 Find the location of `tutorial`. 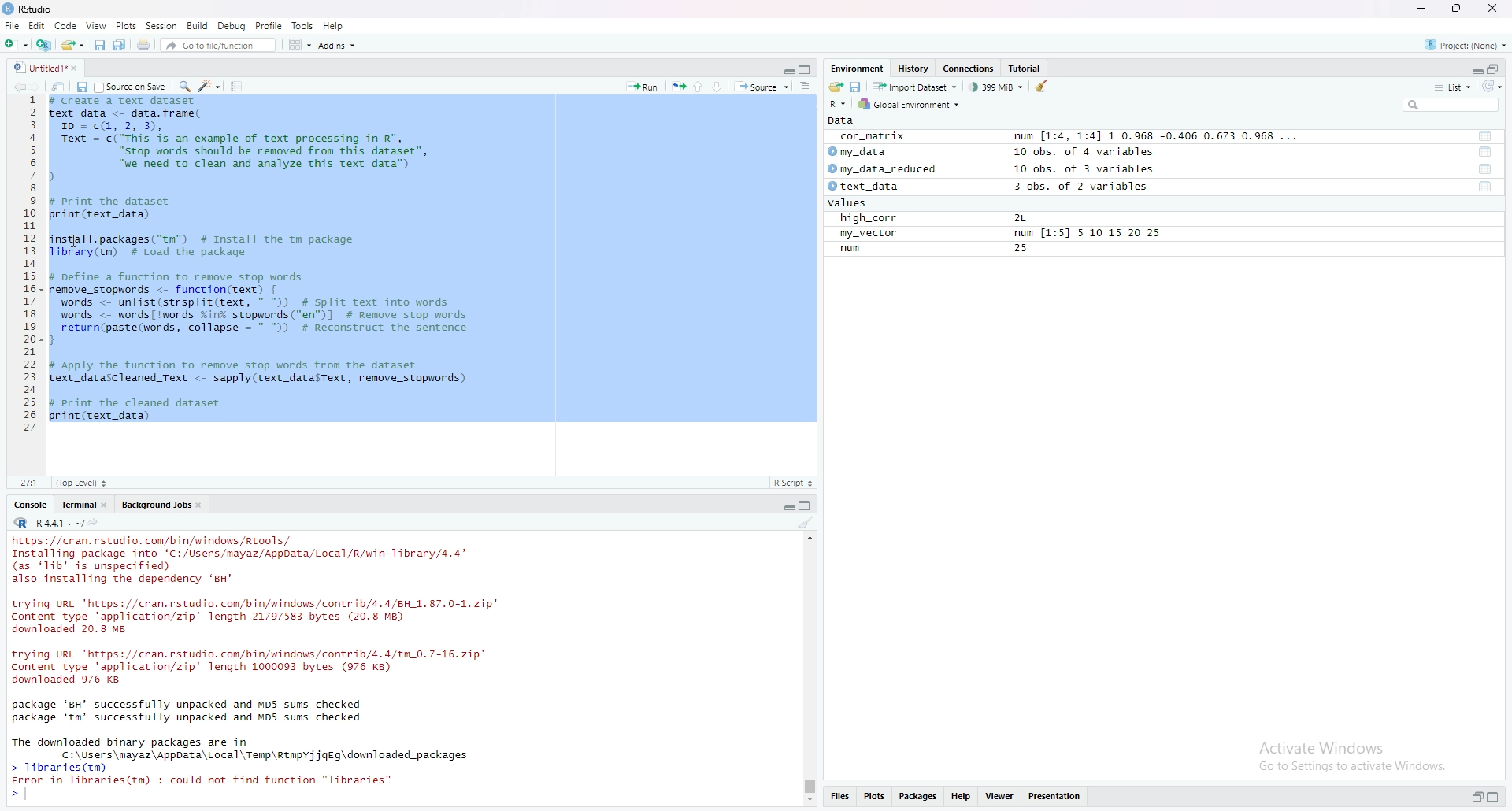

tutorial is located at coordinates (1025, 69).